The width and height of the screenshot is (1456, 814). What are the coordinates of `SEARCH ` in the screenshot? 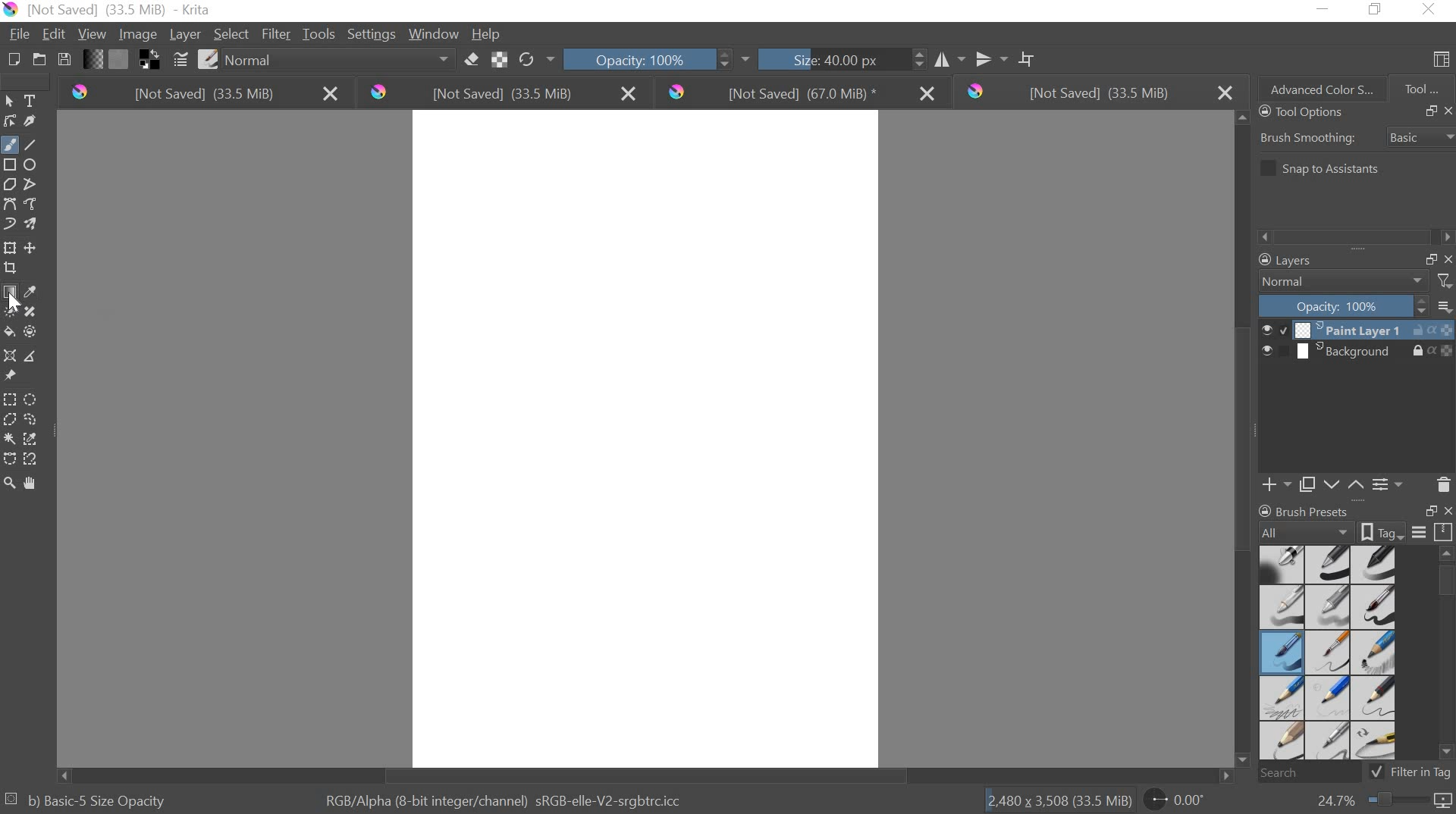 It's located at (1315, 773).